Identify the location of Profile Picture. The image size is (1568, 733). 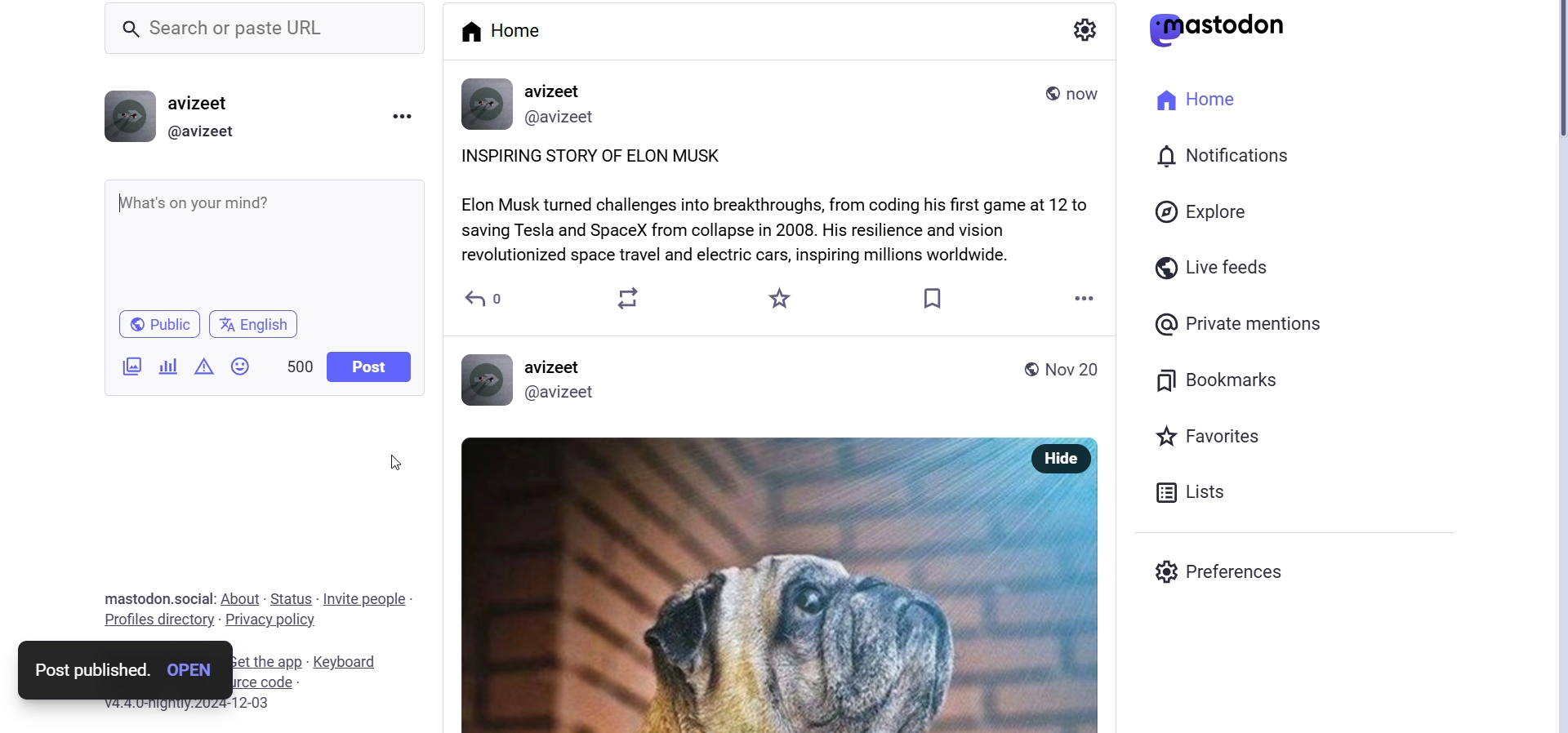
(487, 383).